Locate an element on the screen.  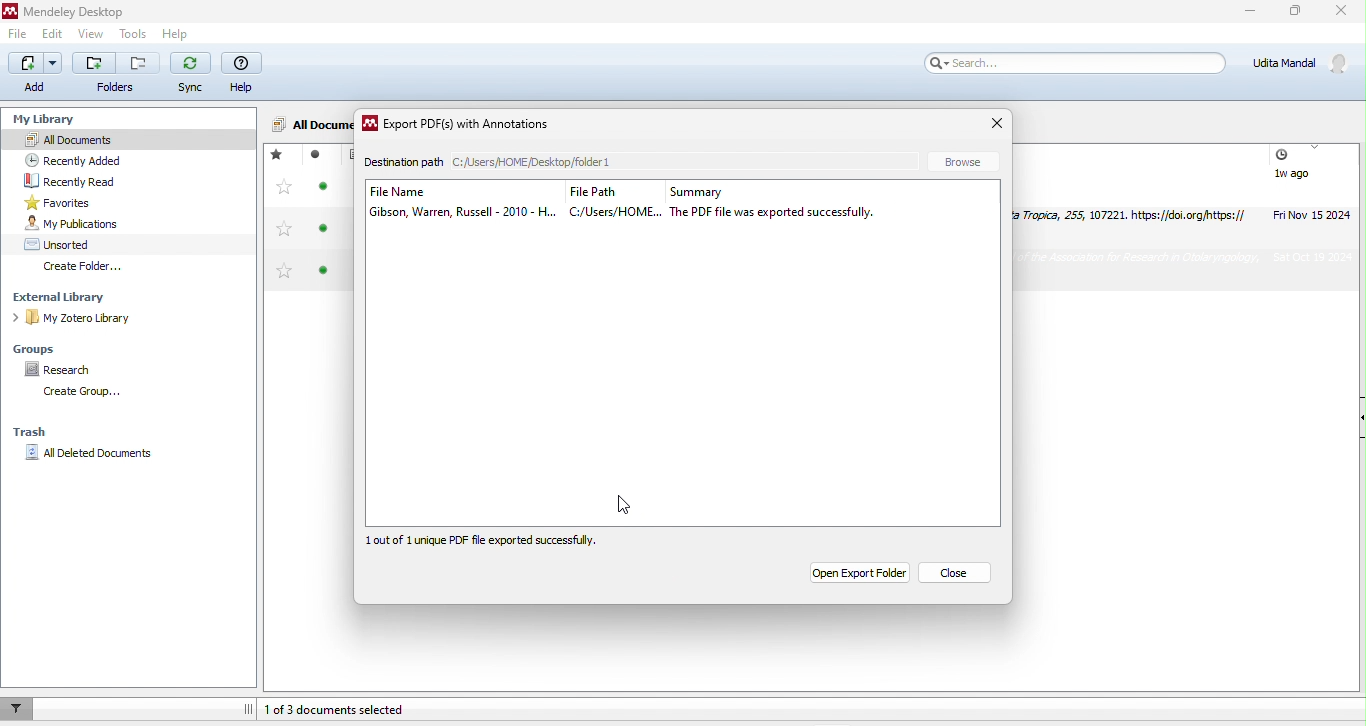
maximize is located at coordinates (1297, 10).